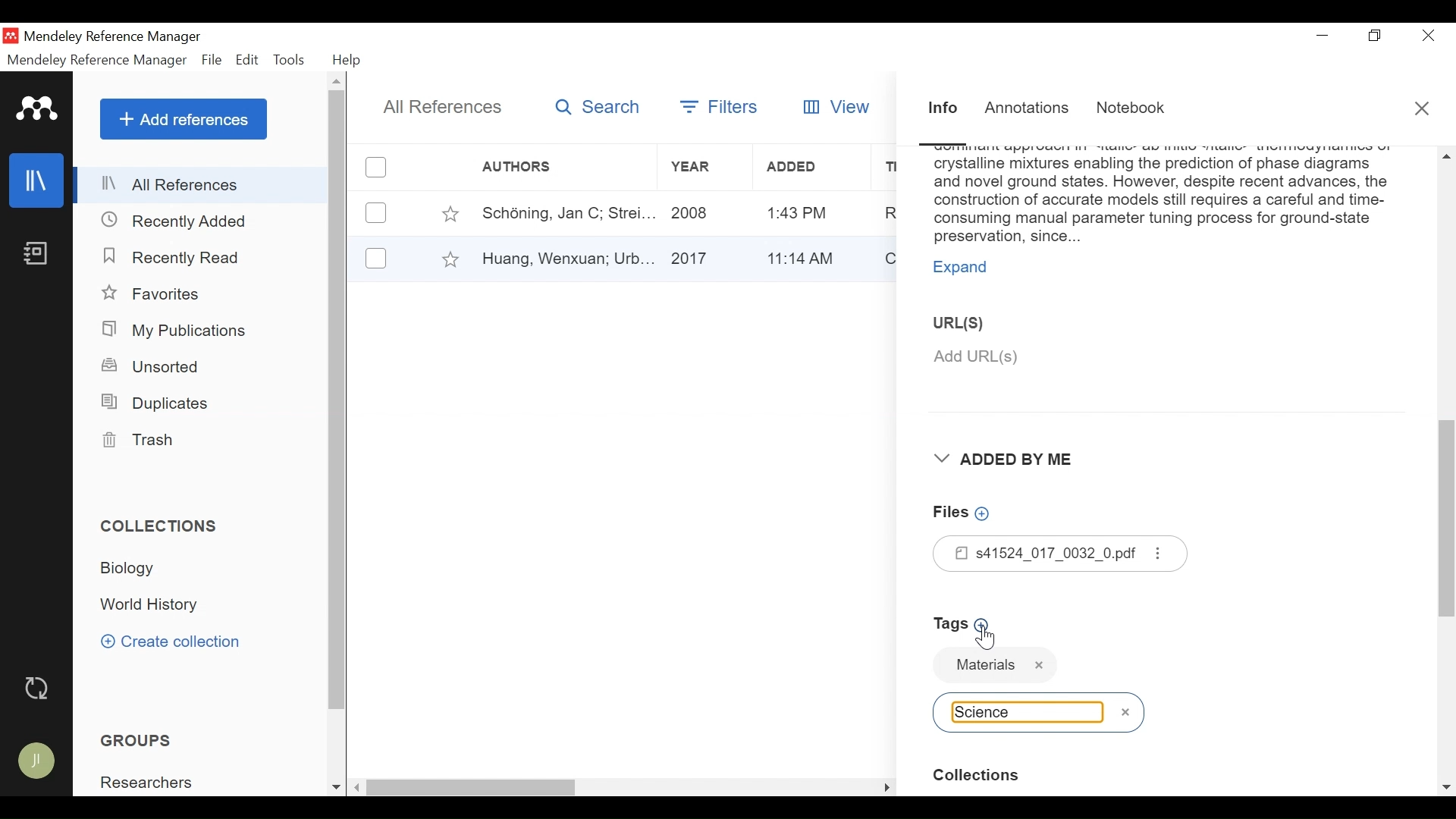 This screenshot has width=1456, height=819. Describe the element at coordinates (116, 36) in the screenshot. I see `Mendeley Reference Manager` at that location.